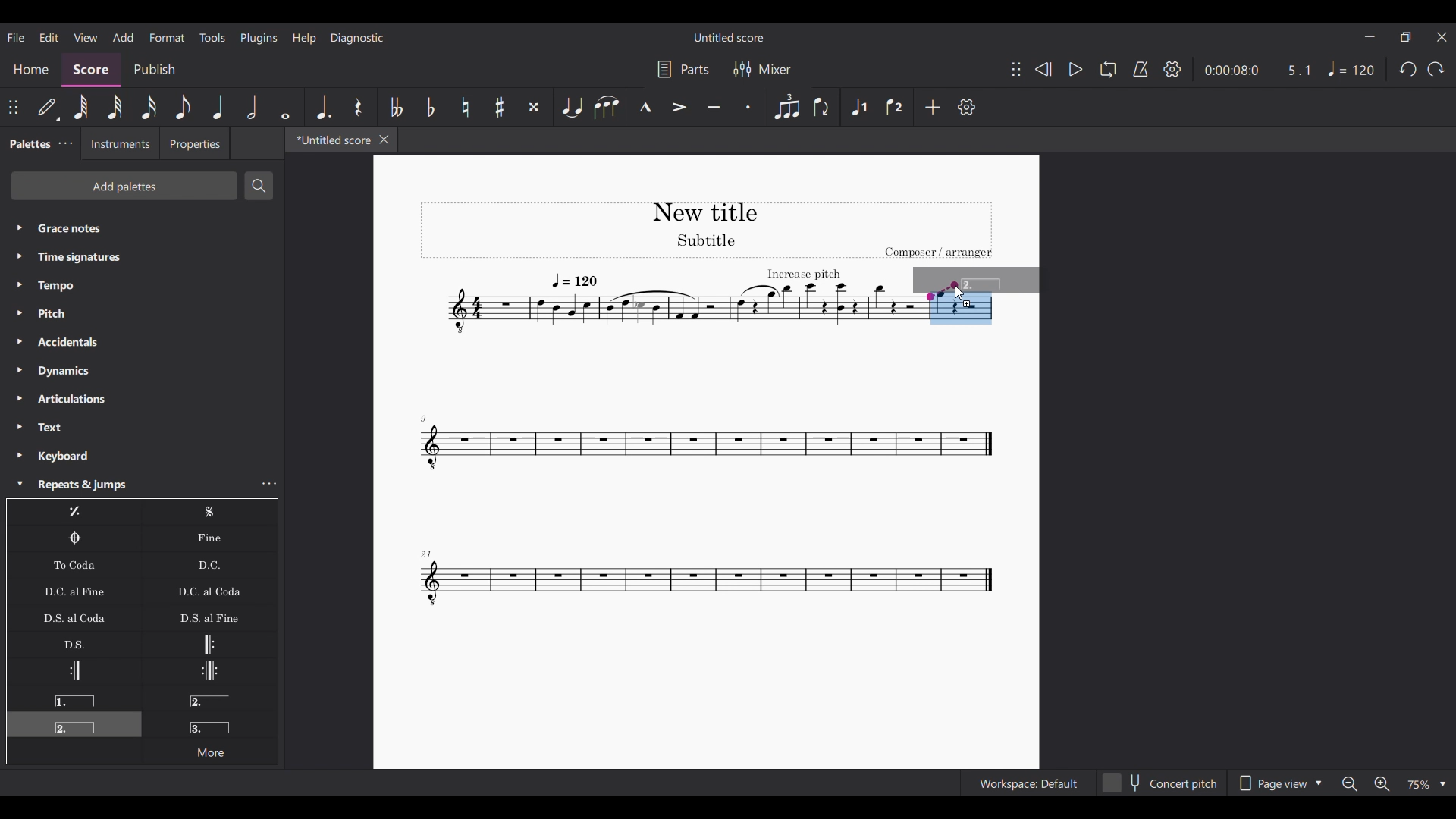 The height and width of the screenshot is (819, 1456). Describe the element at coordinates (670, 407) in the screenshot. I see `Current score` at that location.